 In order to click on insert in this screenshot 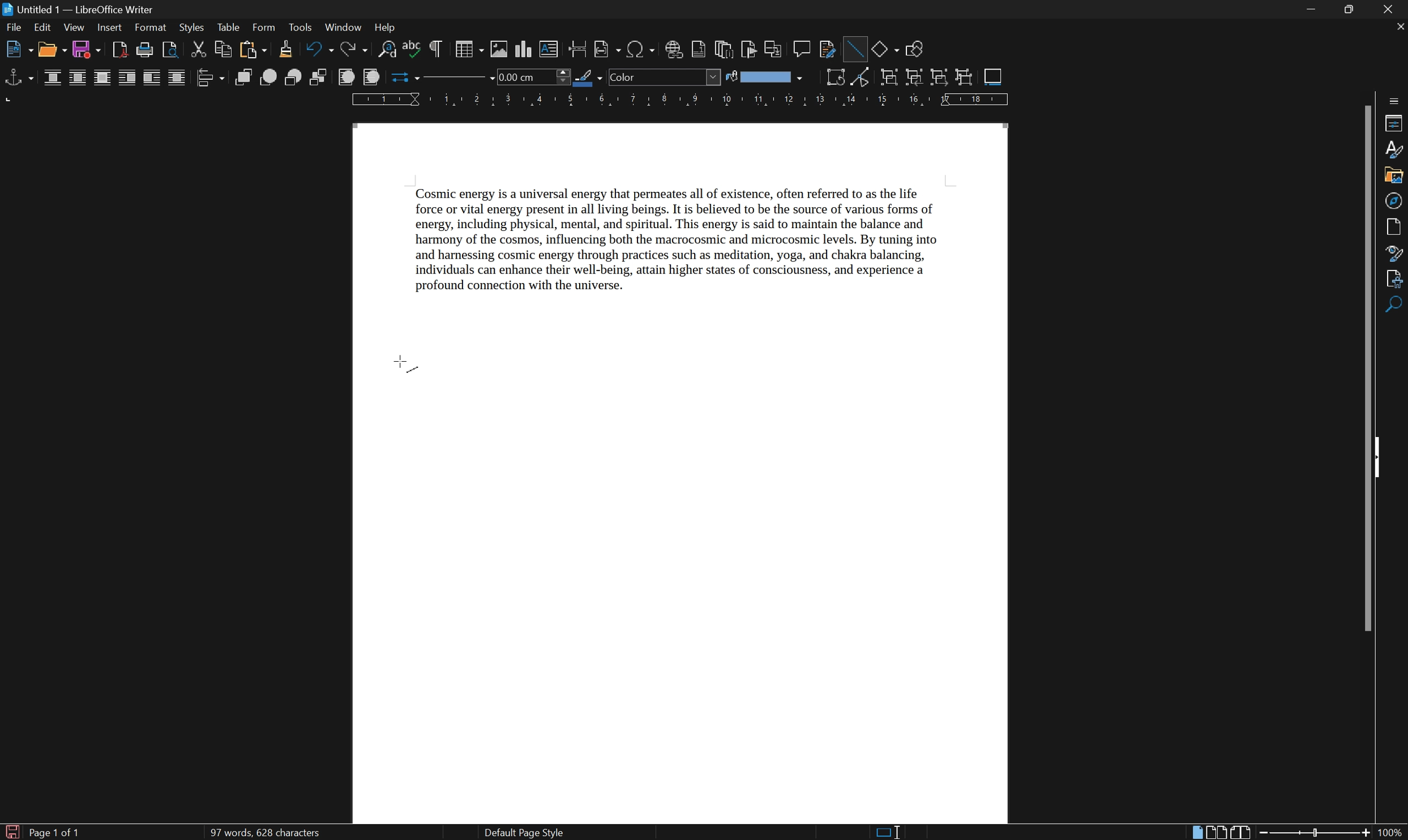, I will do `click(109, 28)`.